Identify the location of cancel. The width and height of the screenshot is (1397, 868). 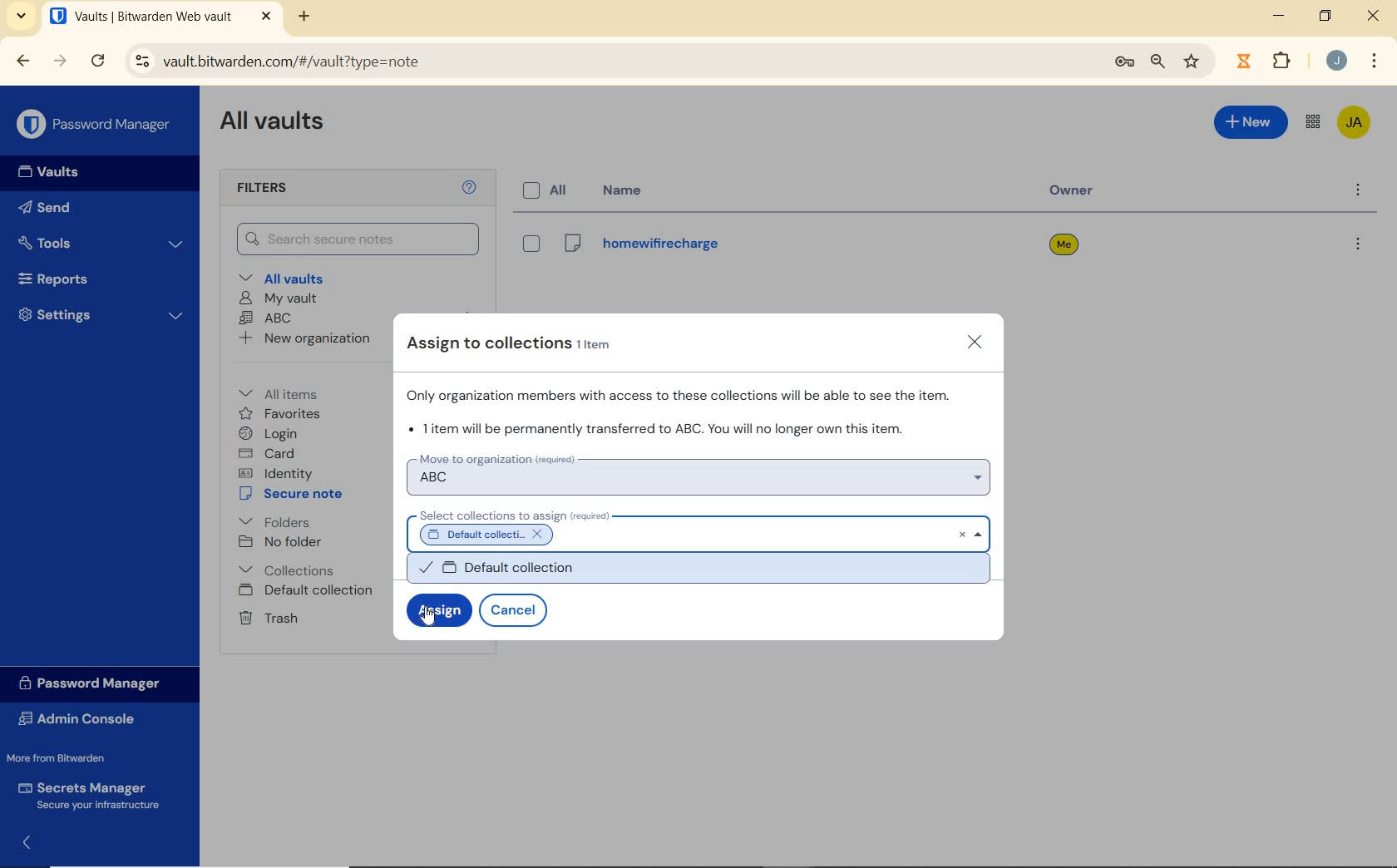
(516, 610).